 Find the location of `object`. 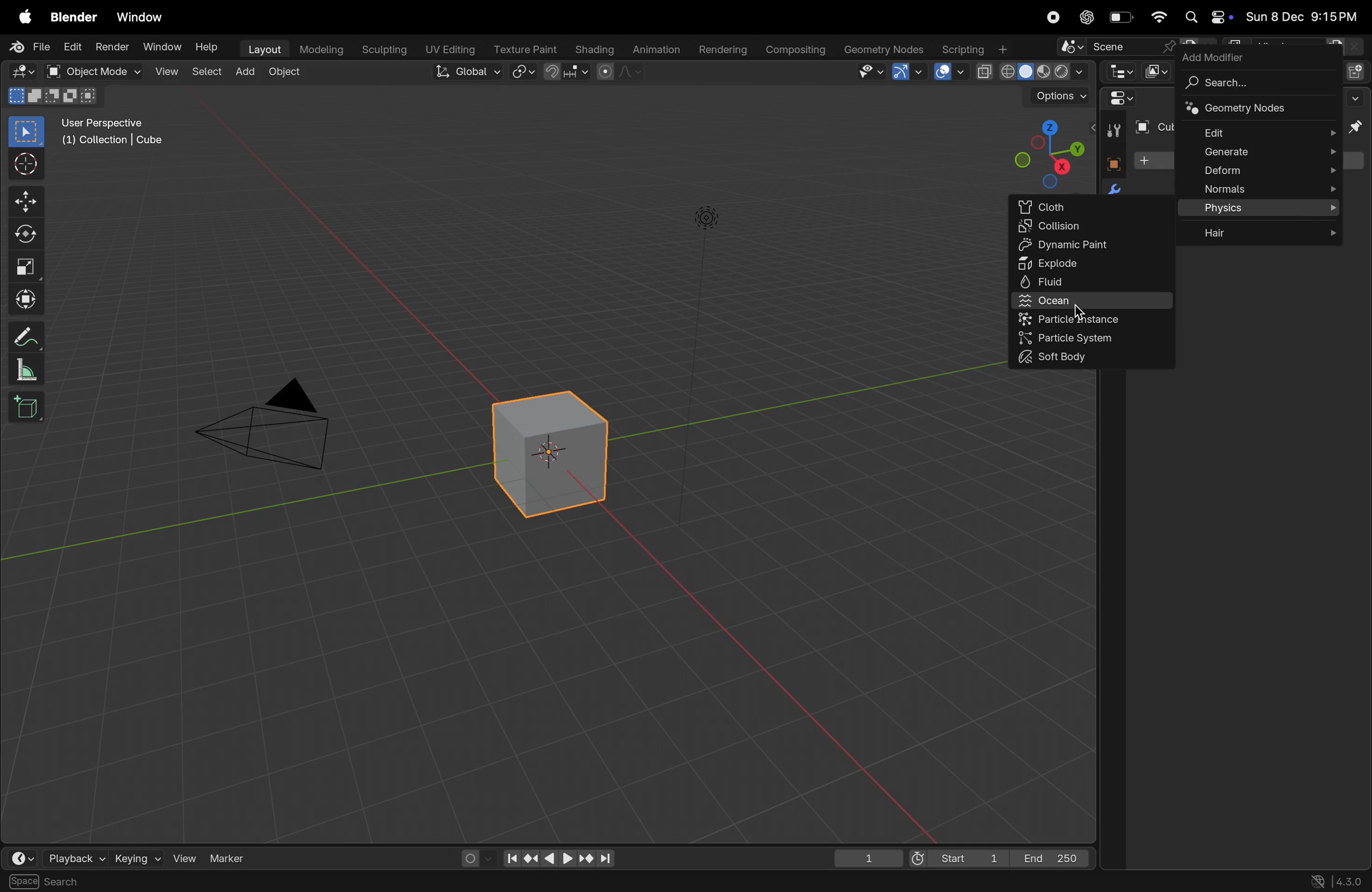

object is located at coordinates (1110, 162).